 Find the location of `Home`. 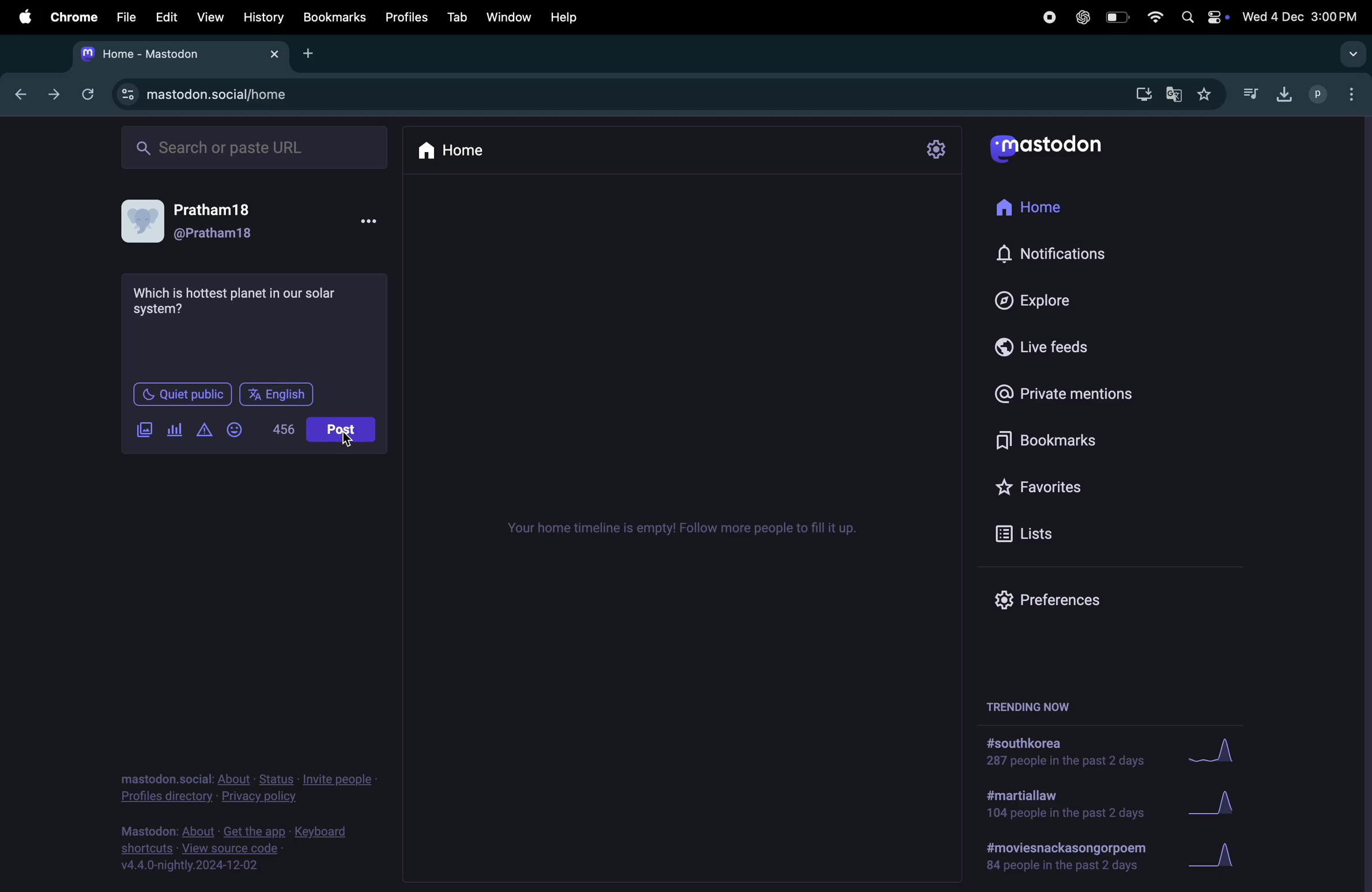

Home is located at coordinates (1044, 209).